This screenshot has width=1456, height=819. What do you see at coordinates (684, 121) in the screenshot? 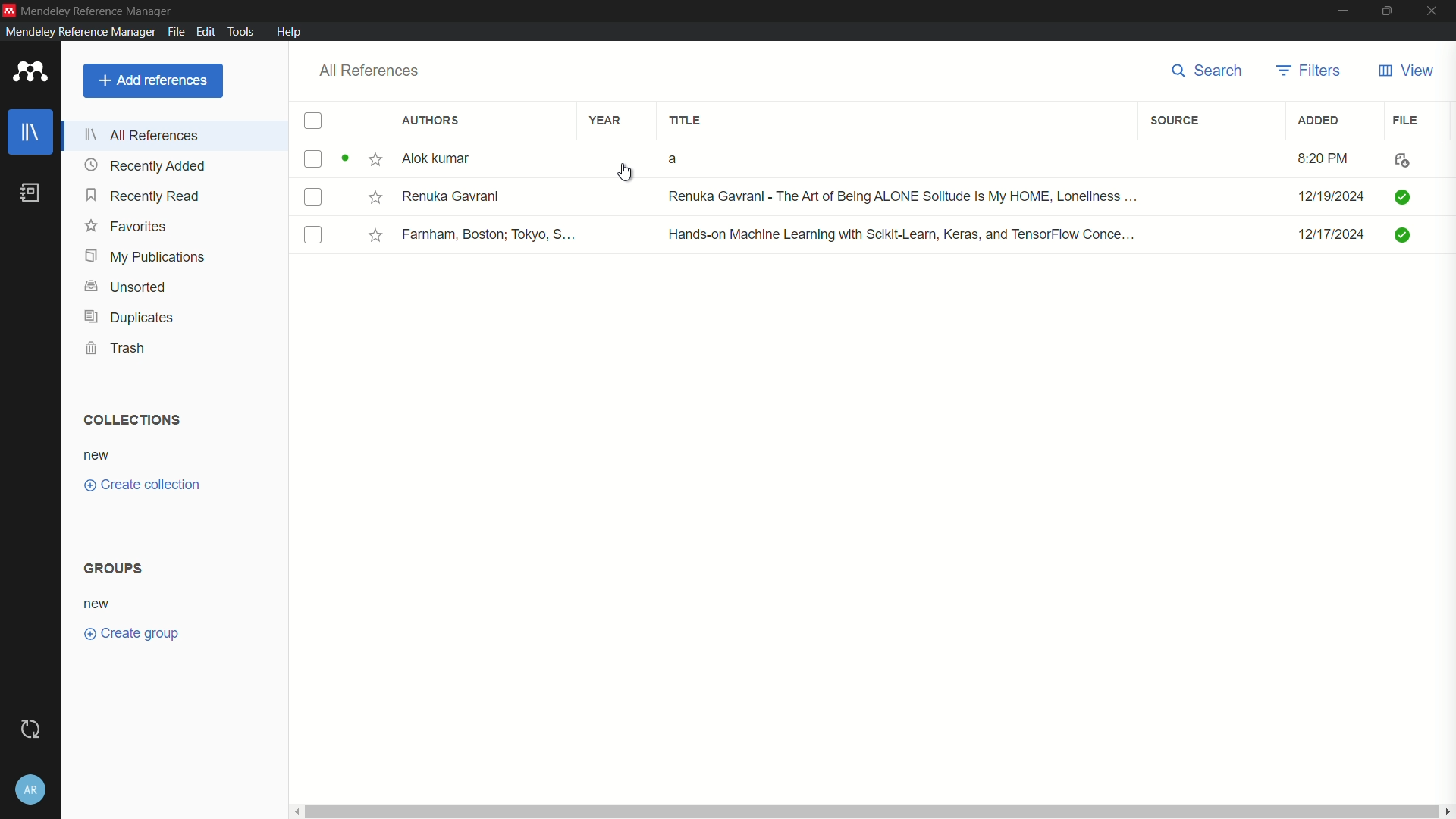
I see `title` at bounding box center [684, 121].